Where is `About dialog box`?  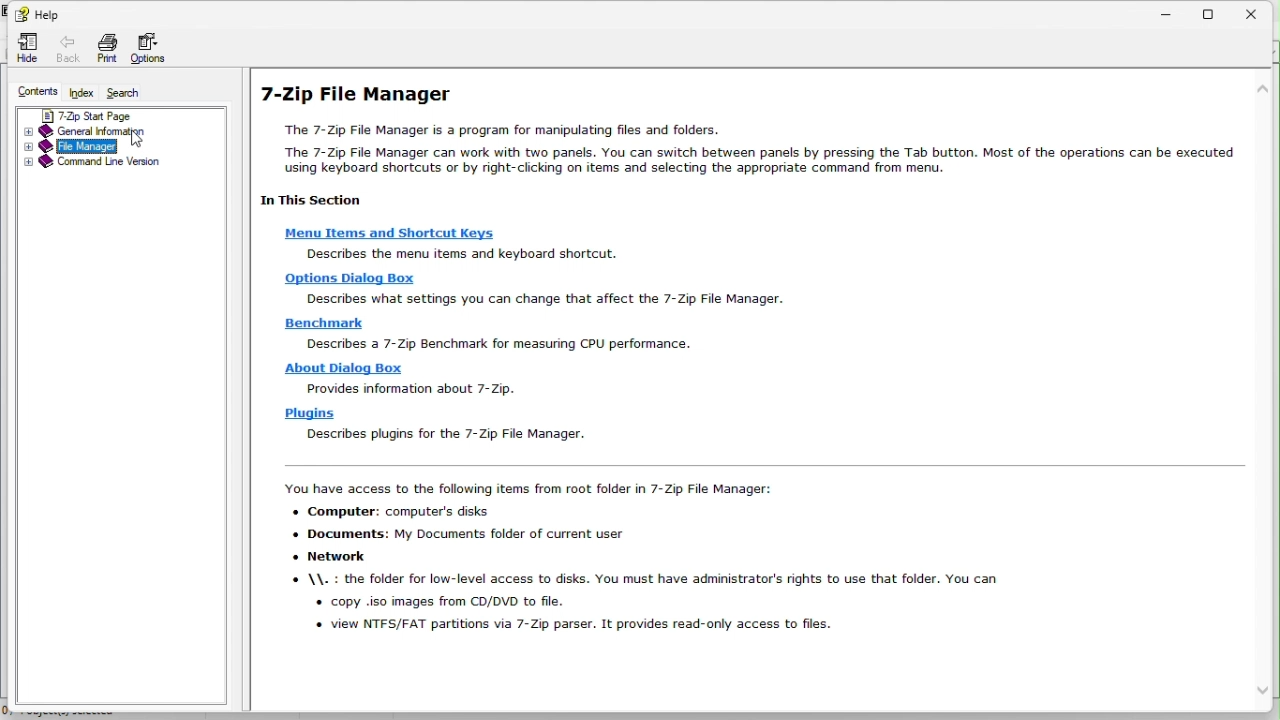
About dialog box is located at coordinates (340, 369).